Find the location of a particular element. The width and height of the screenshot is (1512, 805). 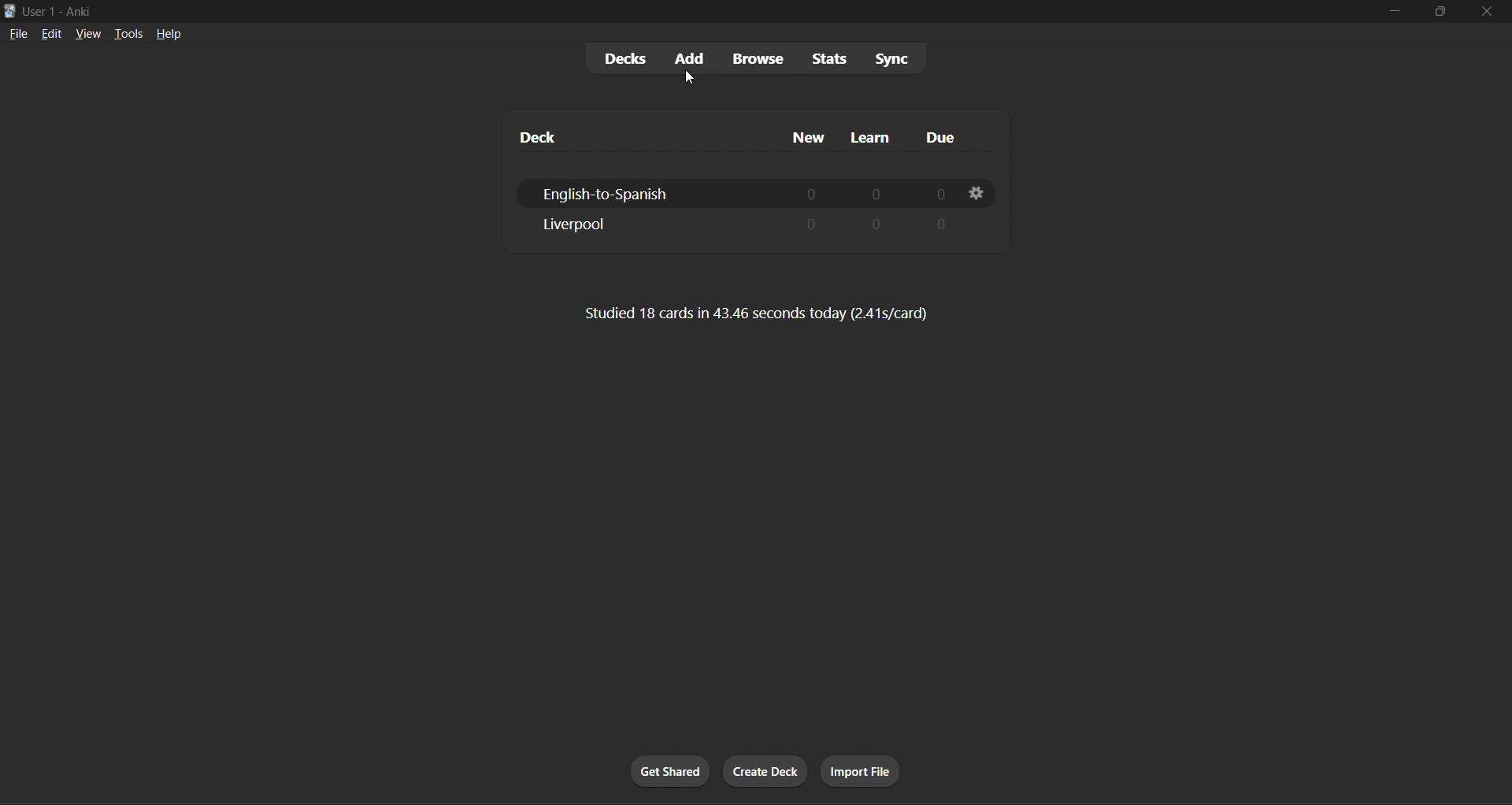

file is located at coordinates (17, 32).